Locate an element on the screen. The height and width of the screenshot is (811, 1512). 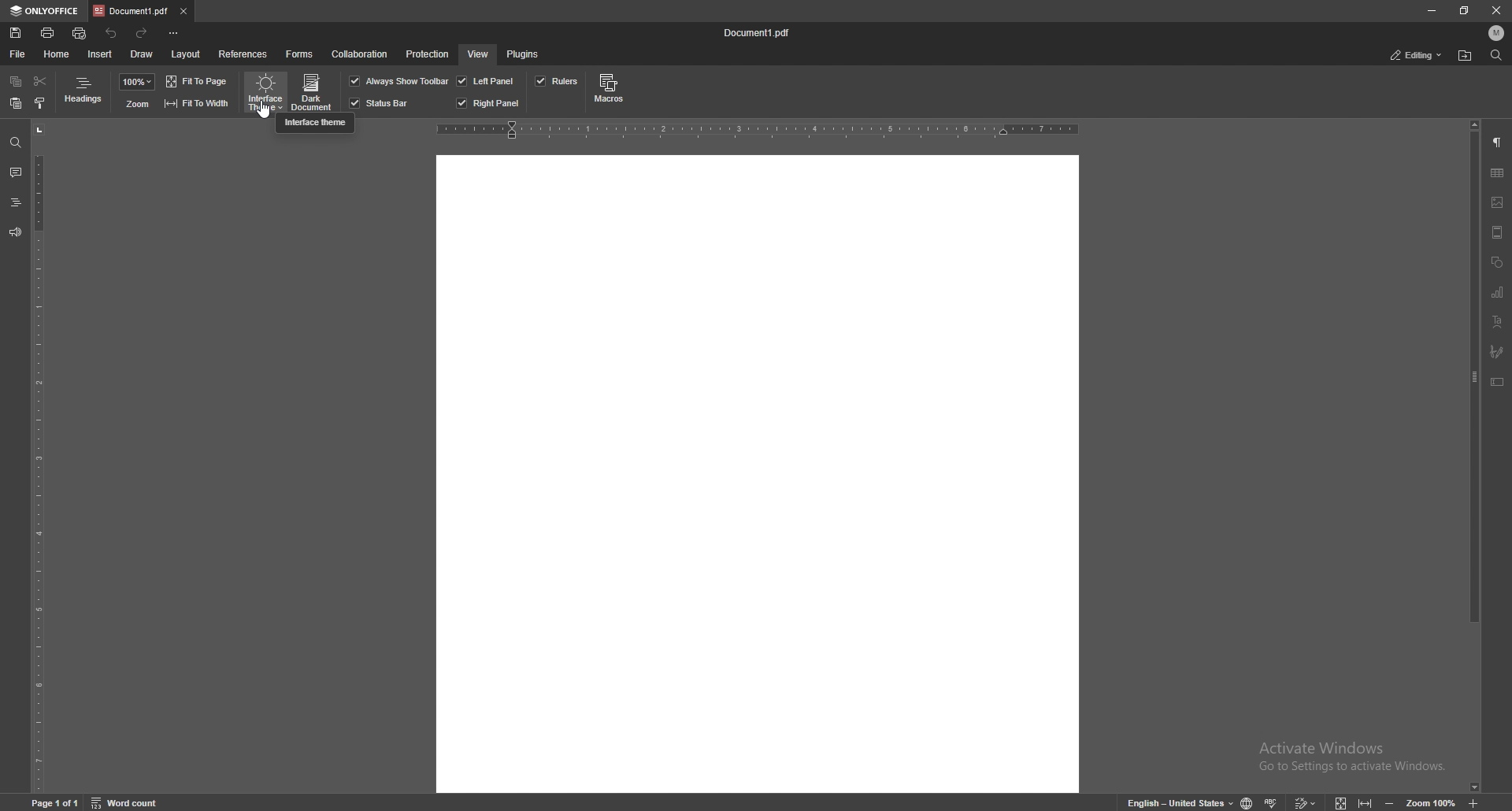
undo is located at coordinates (112, 33).